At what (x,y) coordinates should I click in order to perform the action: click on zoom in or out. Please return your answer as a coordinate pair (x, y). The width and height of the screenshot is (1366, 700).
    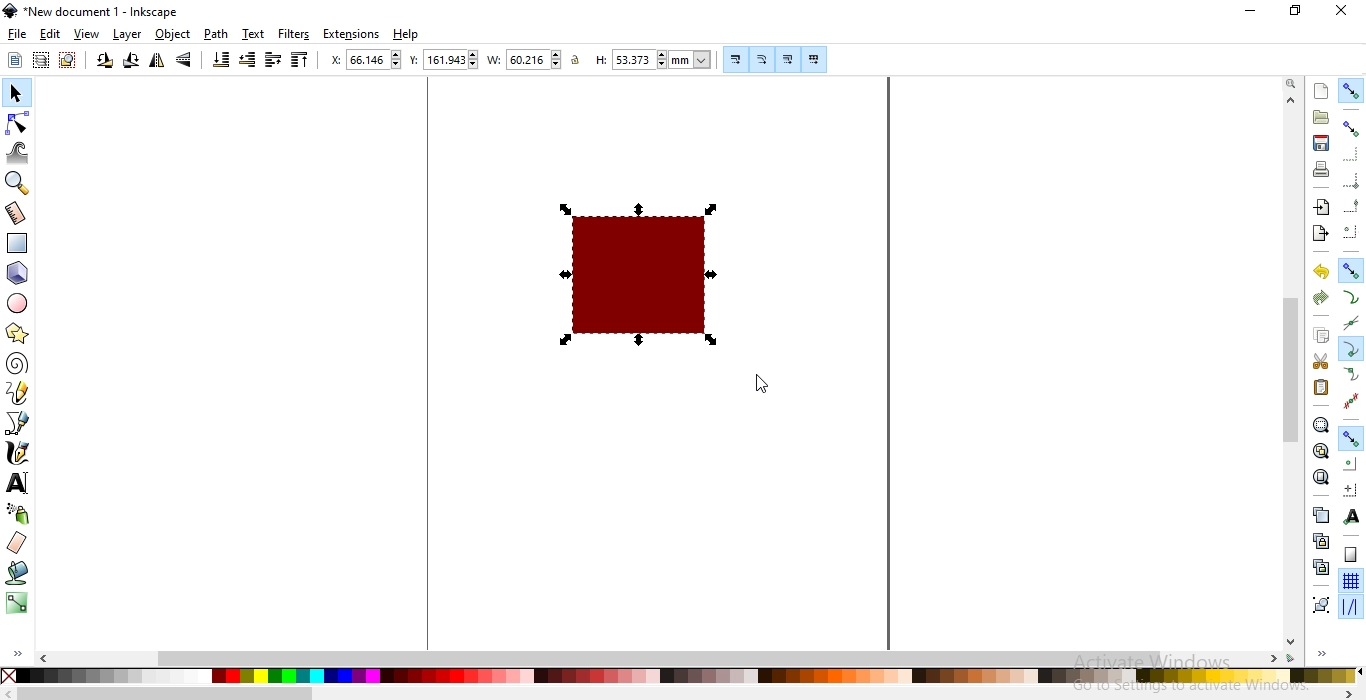
    Looking at the image, I should click on (20, 182).